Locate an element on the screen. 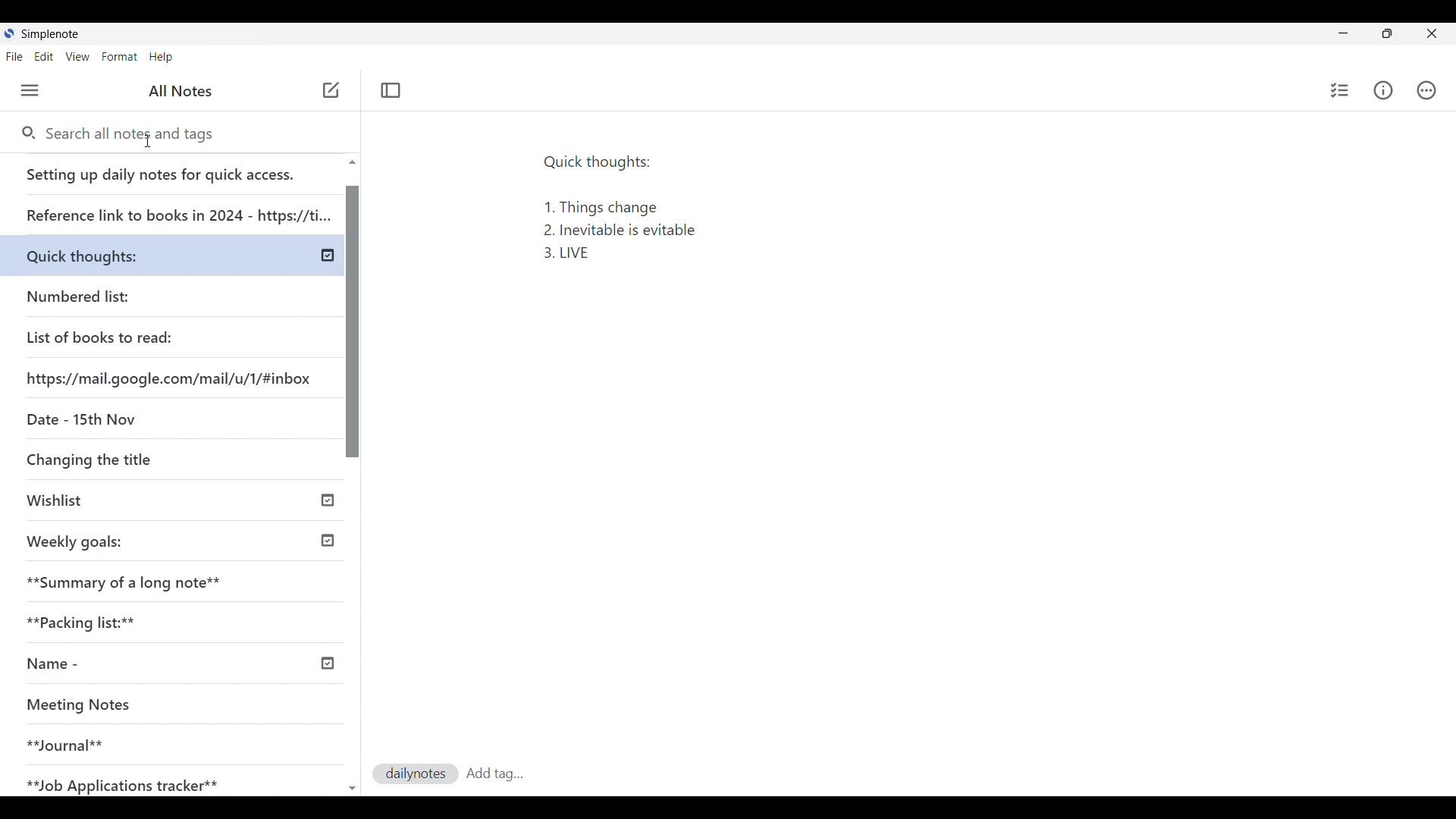 This screenshot has width=1456, height=819. Reference link to books in 2024 - https://ti... is located at coordinates (177, 209).